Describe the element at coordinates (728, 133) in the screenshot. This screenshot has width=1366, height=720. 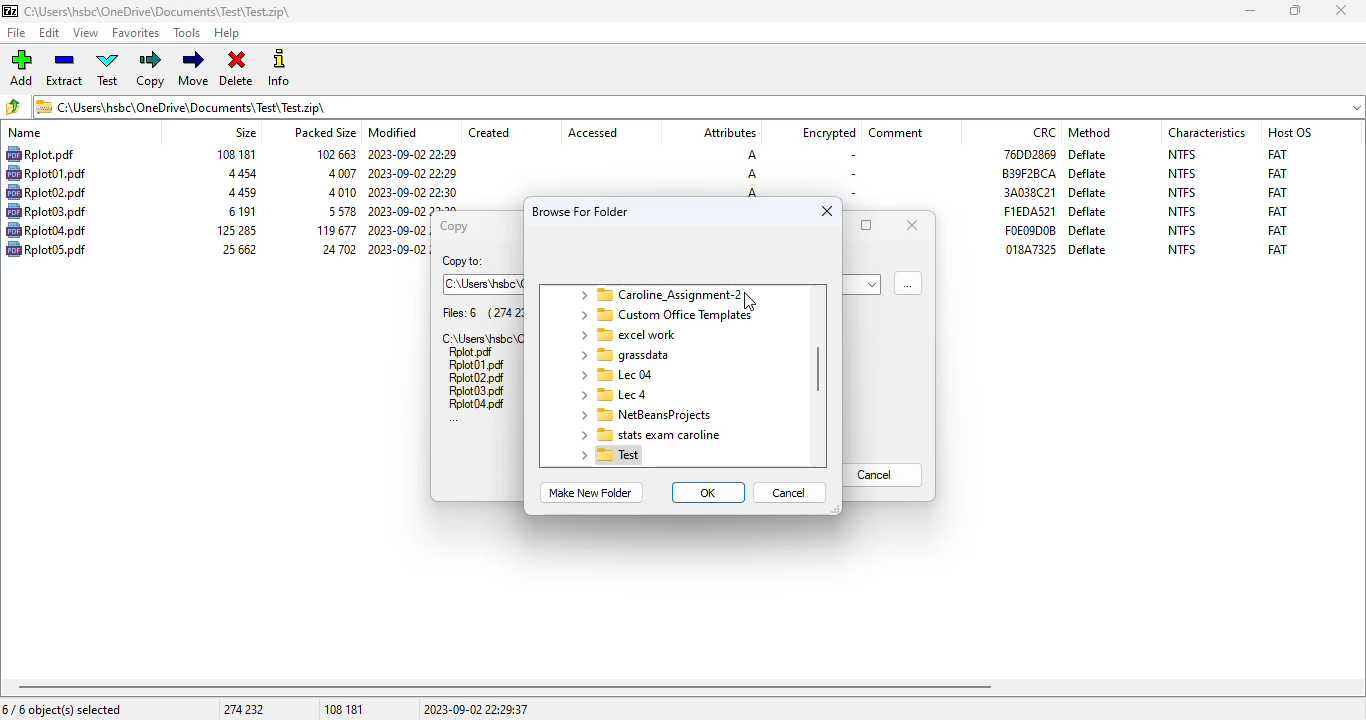
I see `attributes` at that location.